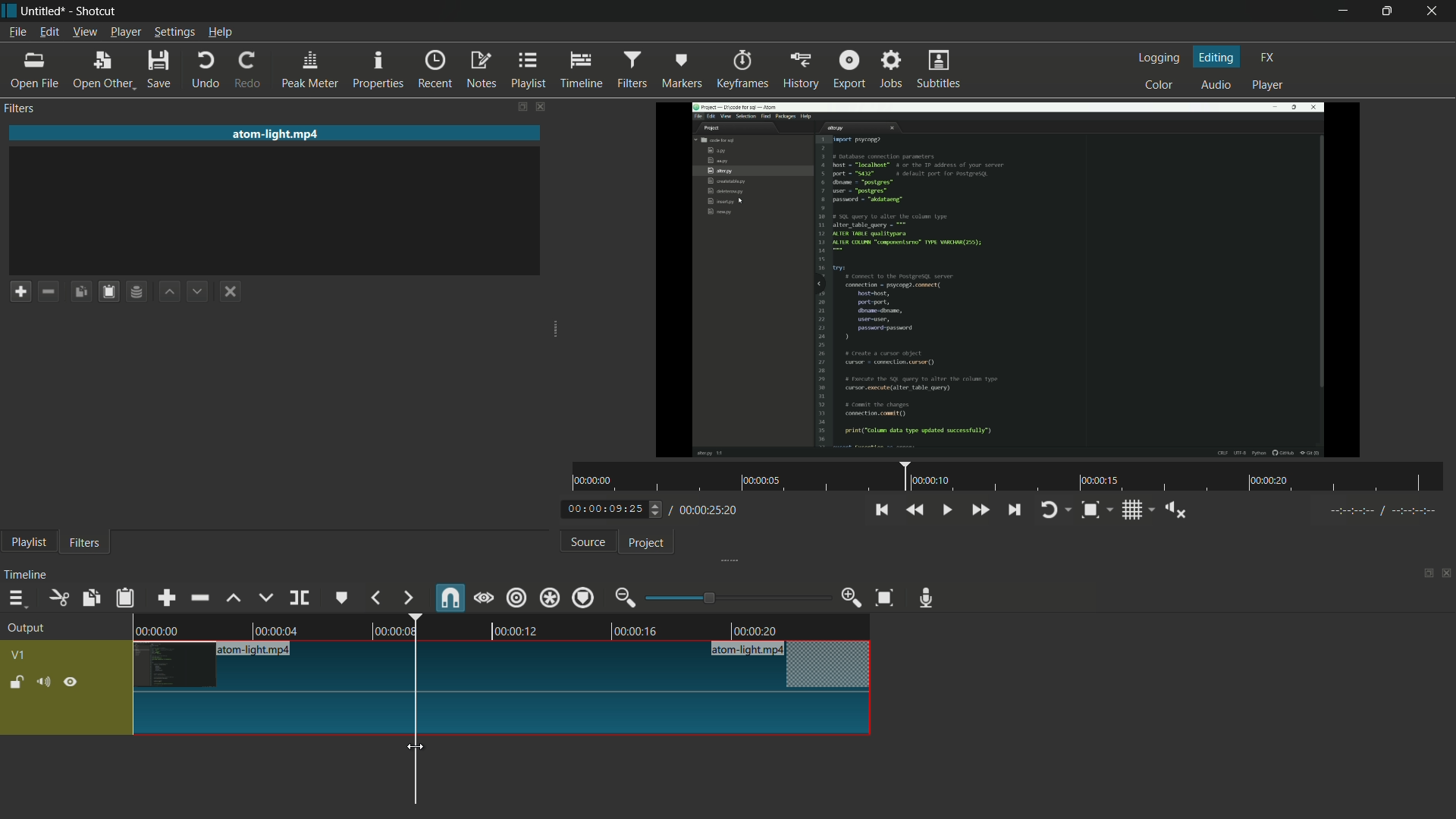 Image resolution: width=1456 pixels, height=819 pixels. Describe the element at coordinates (85, 544) in the screenshot. I see `filters` at that location.